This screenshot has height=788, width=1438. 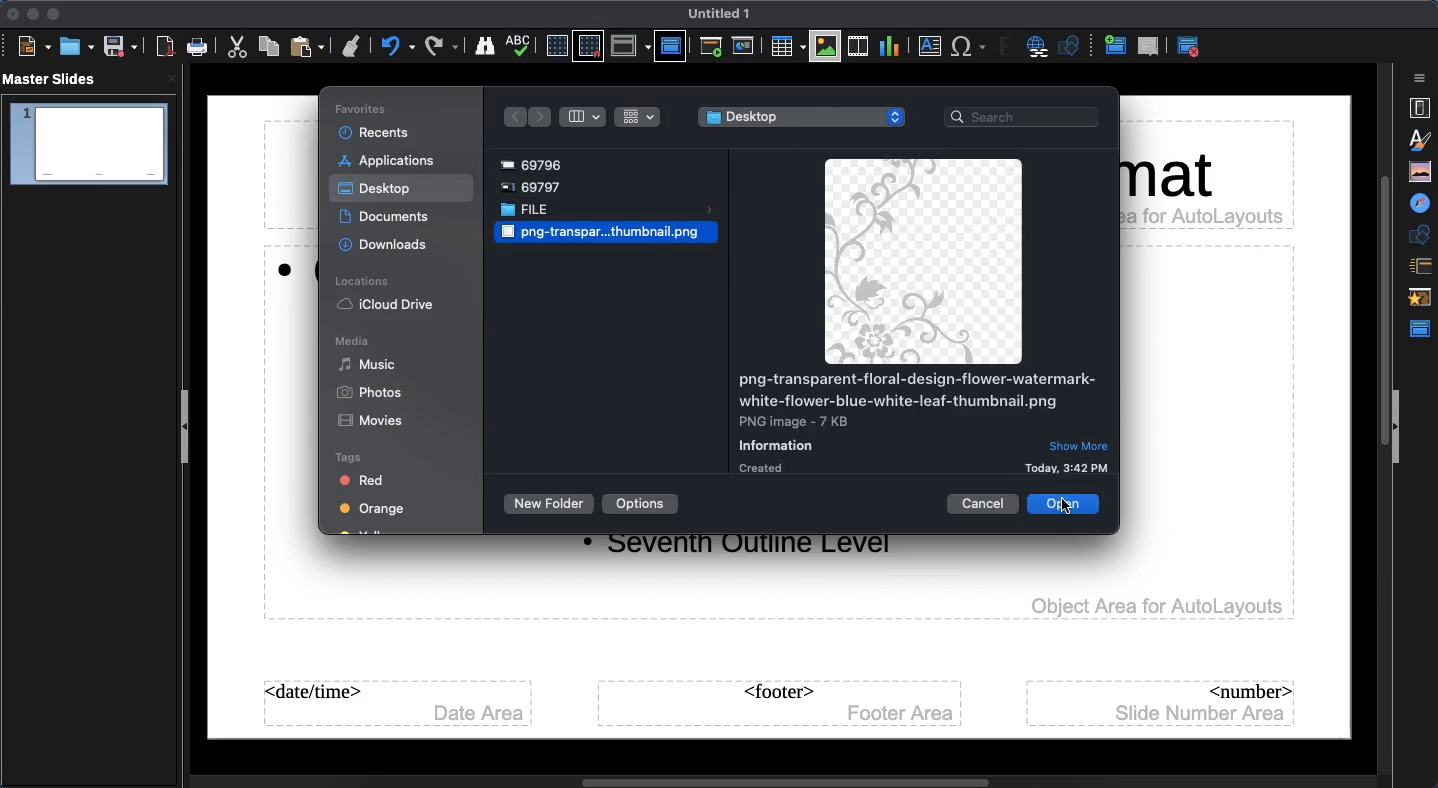 I want to click on Textbox, so click(x=927, y=47).